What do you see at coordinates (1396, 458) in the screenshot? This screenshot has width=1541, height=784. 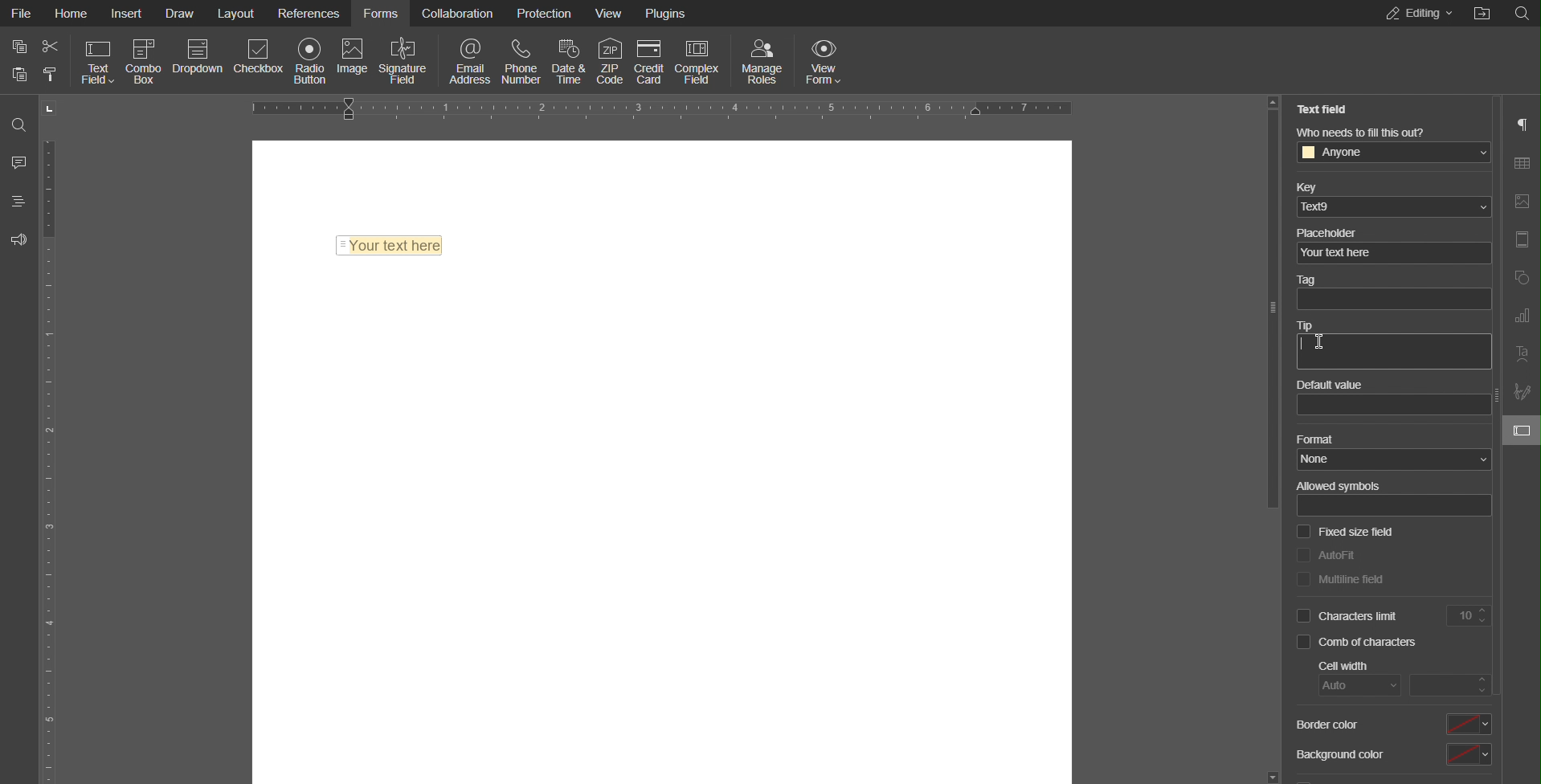 I see `none` at bounding box center [1396, 458].